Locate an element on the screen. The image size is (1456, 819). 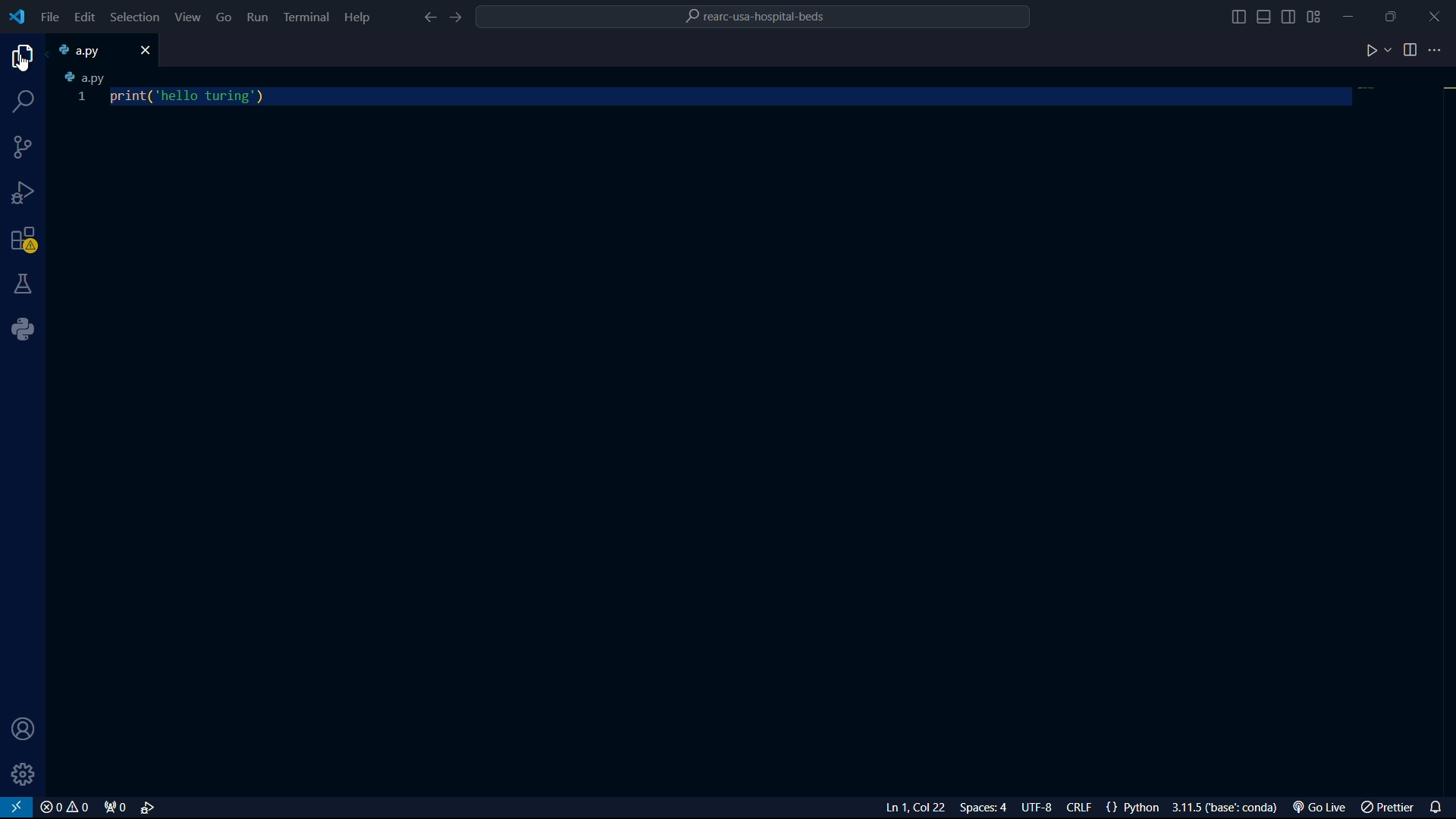
language is located at coordinates (1129, 807).